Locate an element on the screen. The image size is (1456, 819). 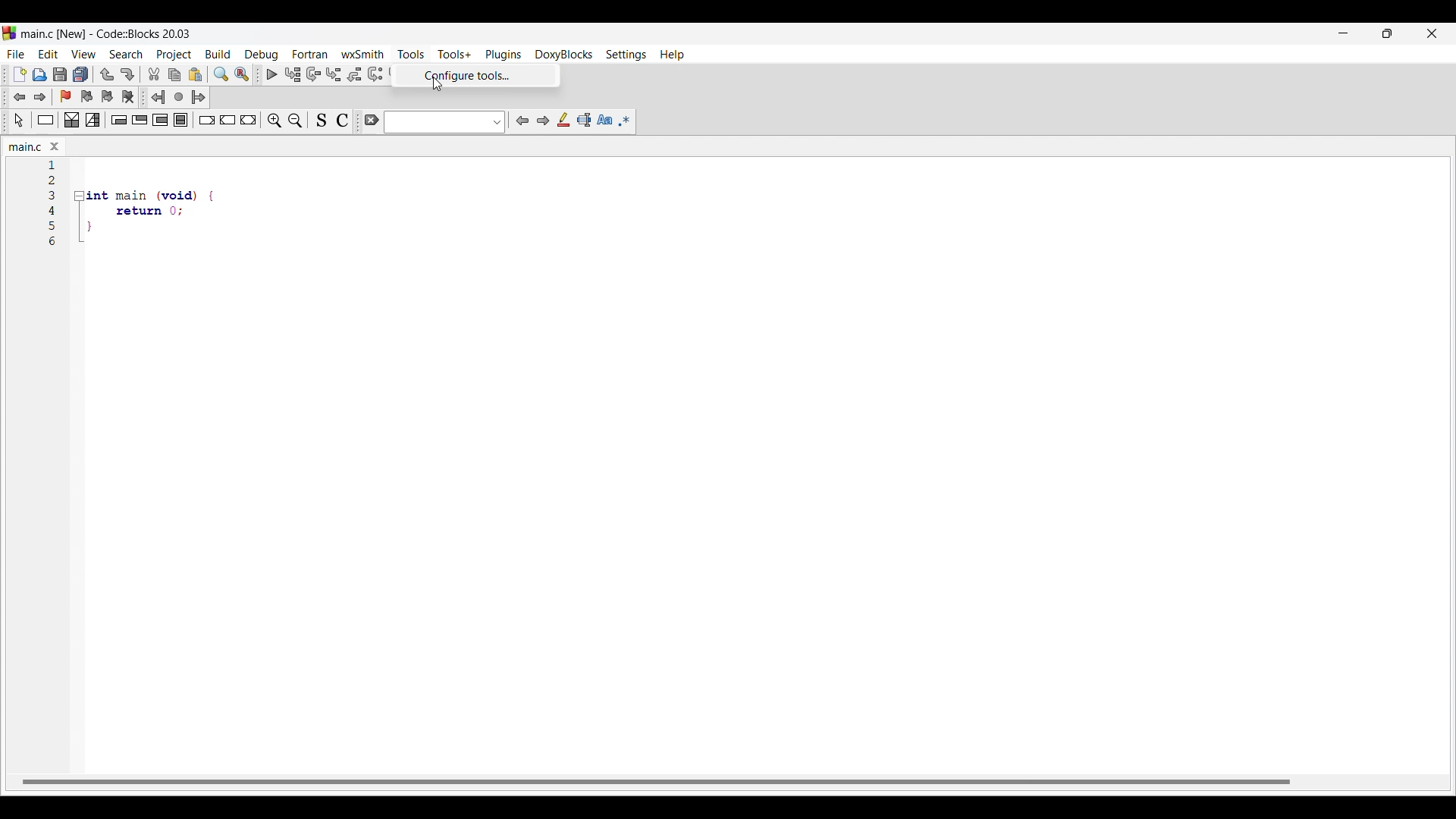
View menu is located at coordinates (83, 55).